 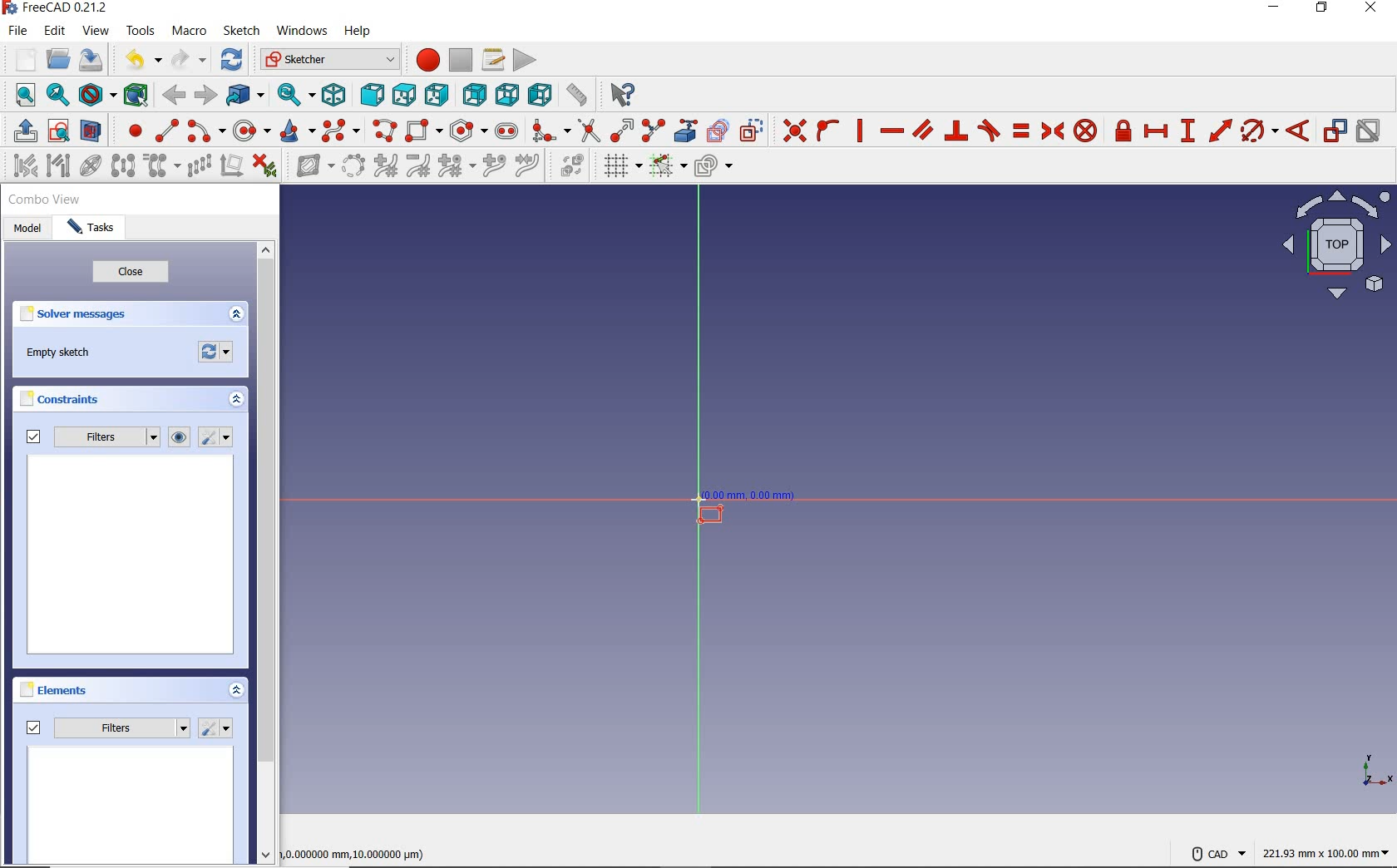 What do you see at coordinates (265, 167) in the screenshot?
I see `delete all constrains` at bounding box center [265, 167].